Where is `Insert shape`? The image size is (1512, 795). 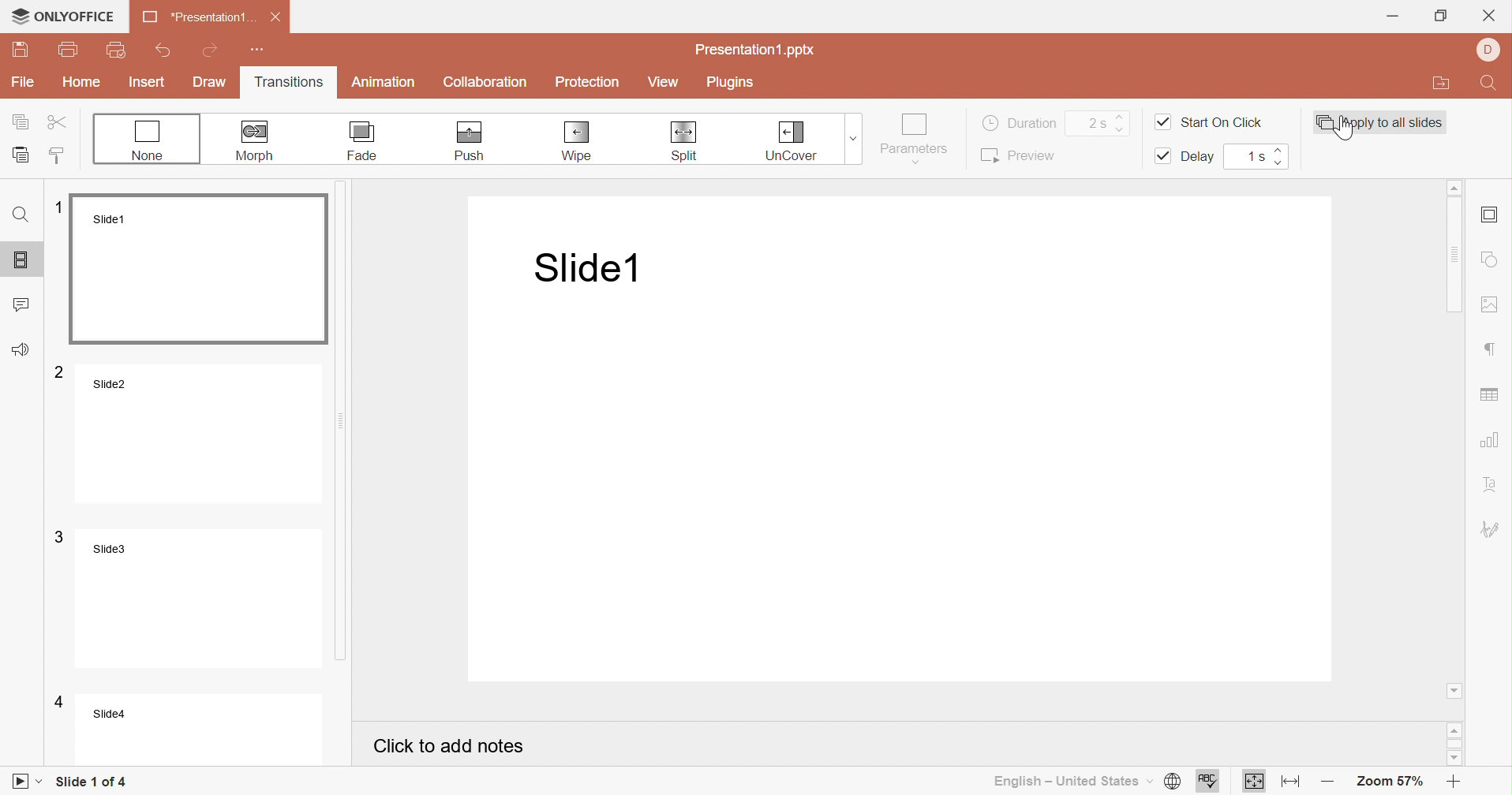
Insert shape is located at coordinates (1491, 259).